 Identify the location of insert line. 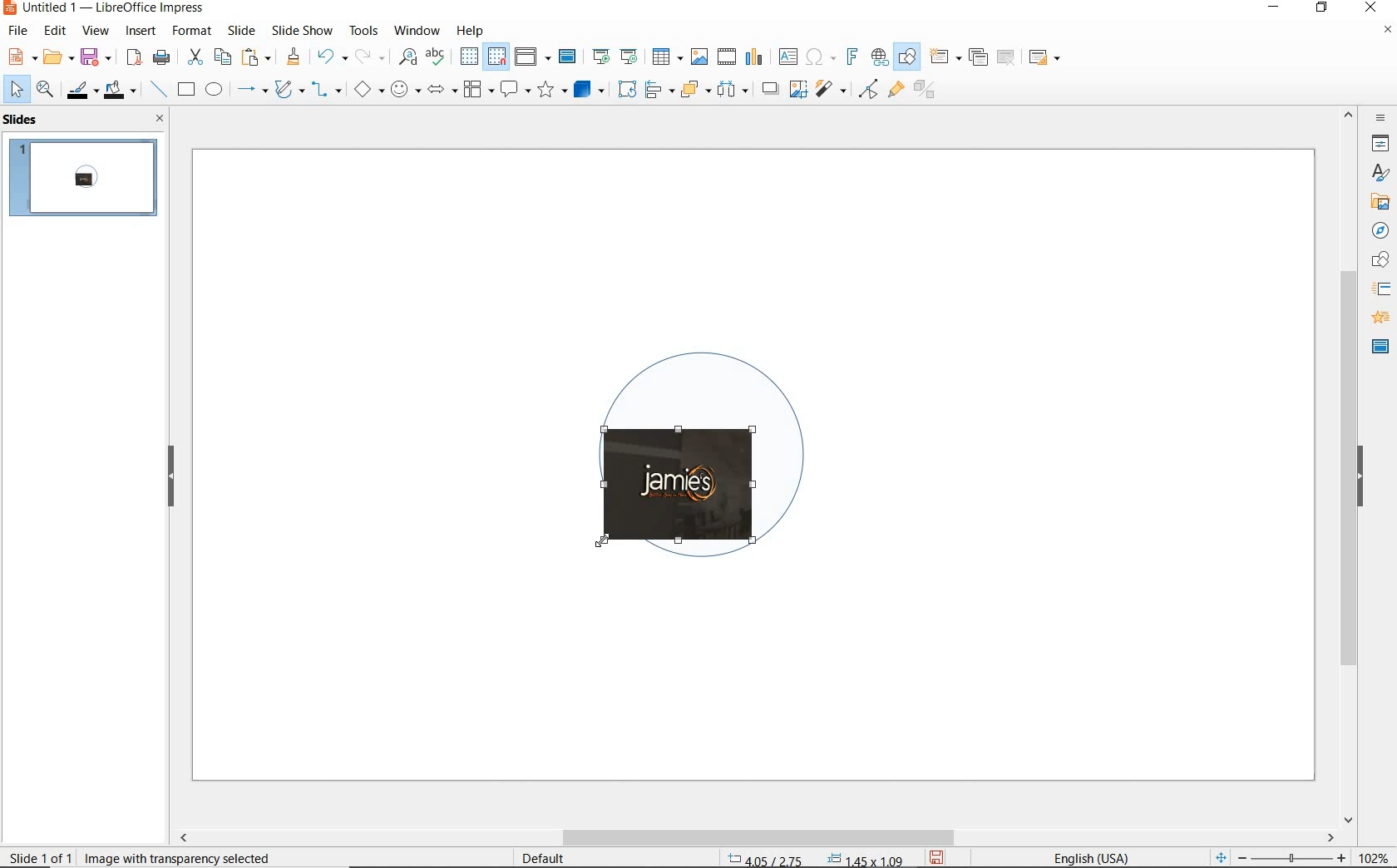
(157, 90).